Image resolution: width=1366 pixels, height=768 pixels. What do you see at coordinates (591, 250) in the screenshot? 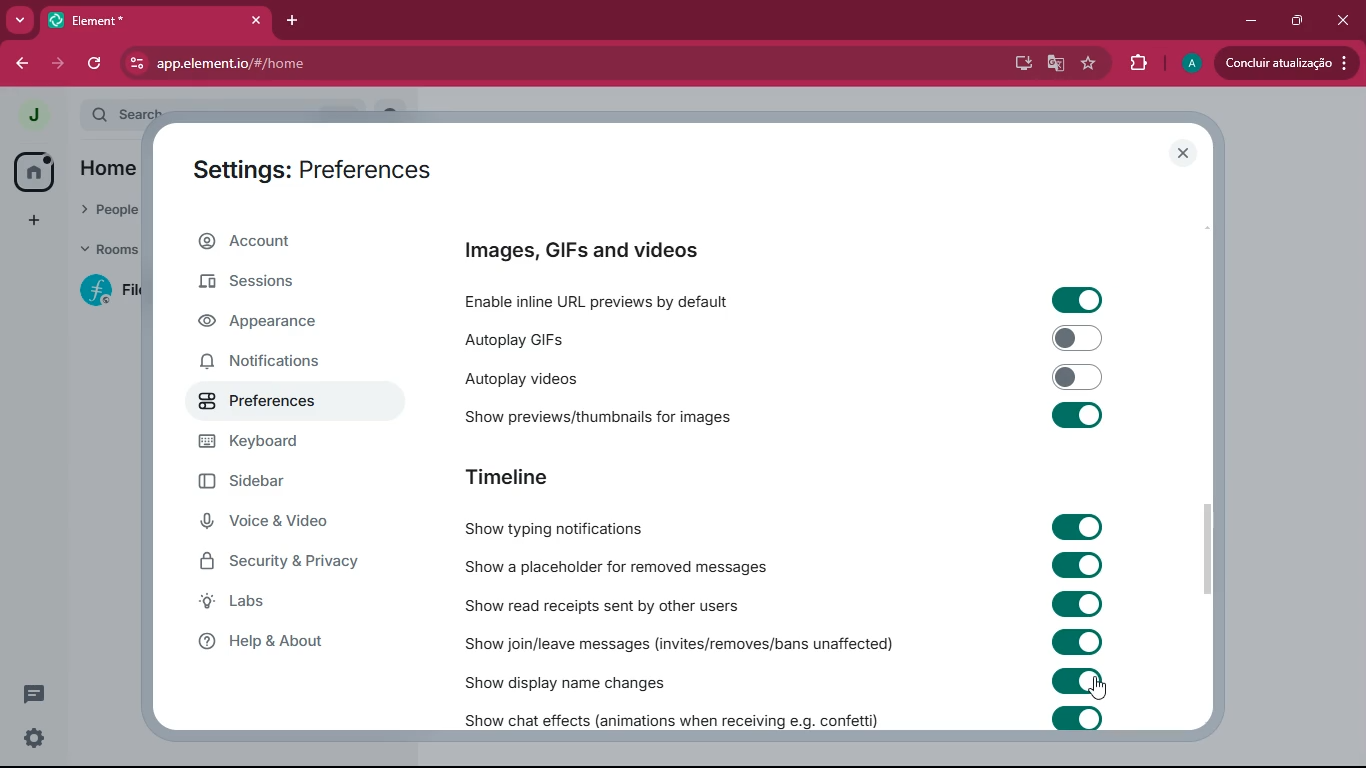
I see `images, GIFs and videos` at bounding box center [591, 250].